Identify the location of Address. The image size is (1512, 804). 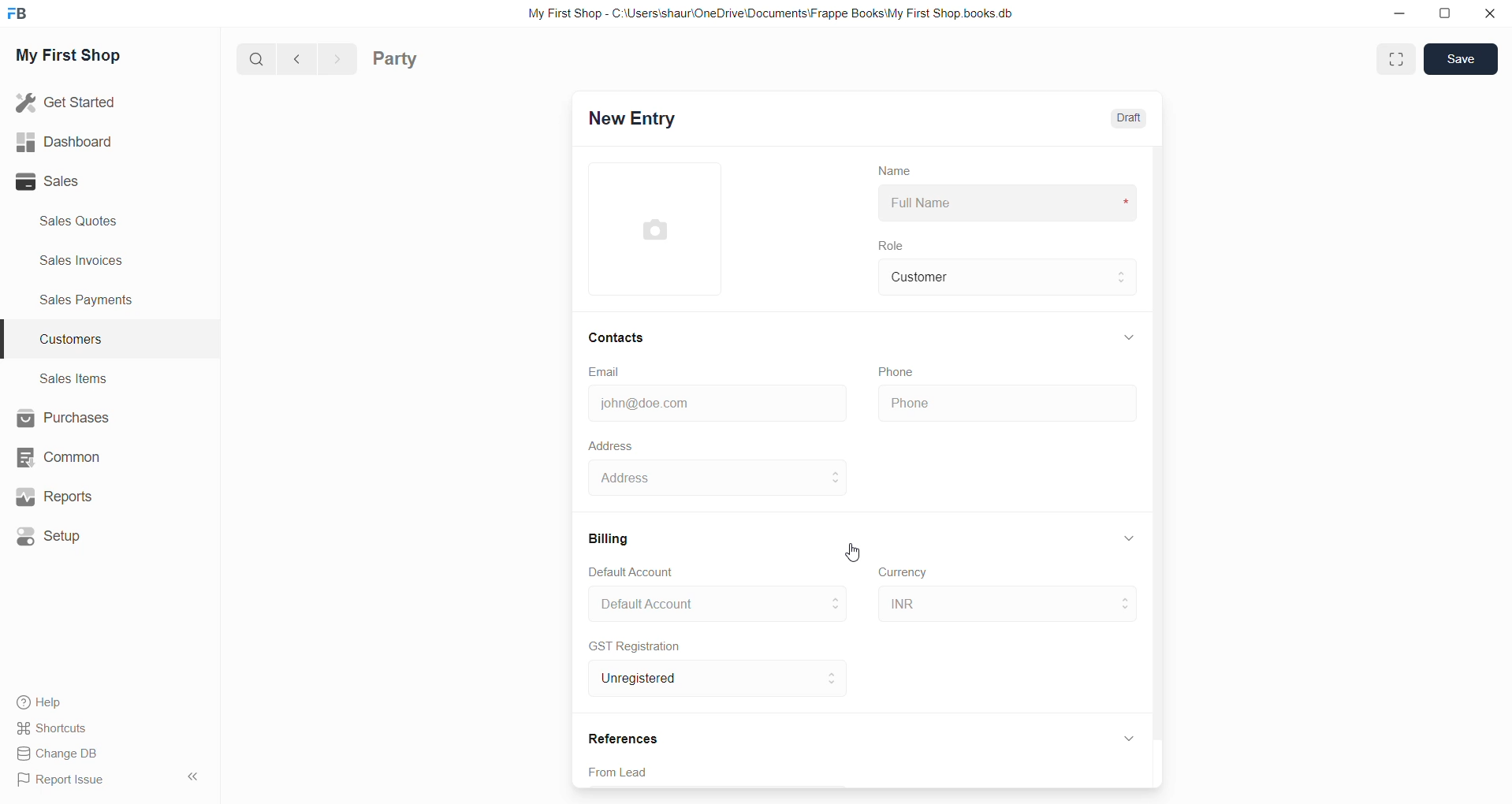
(611, 445).